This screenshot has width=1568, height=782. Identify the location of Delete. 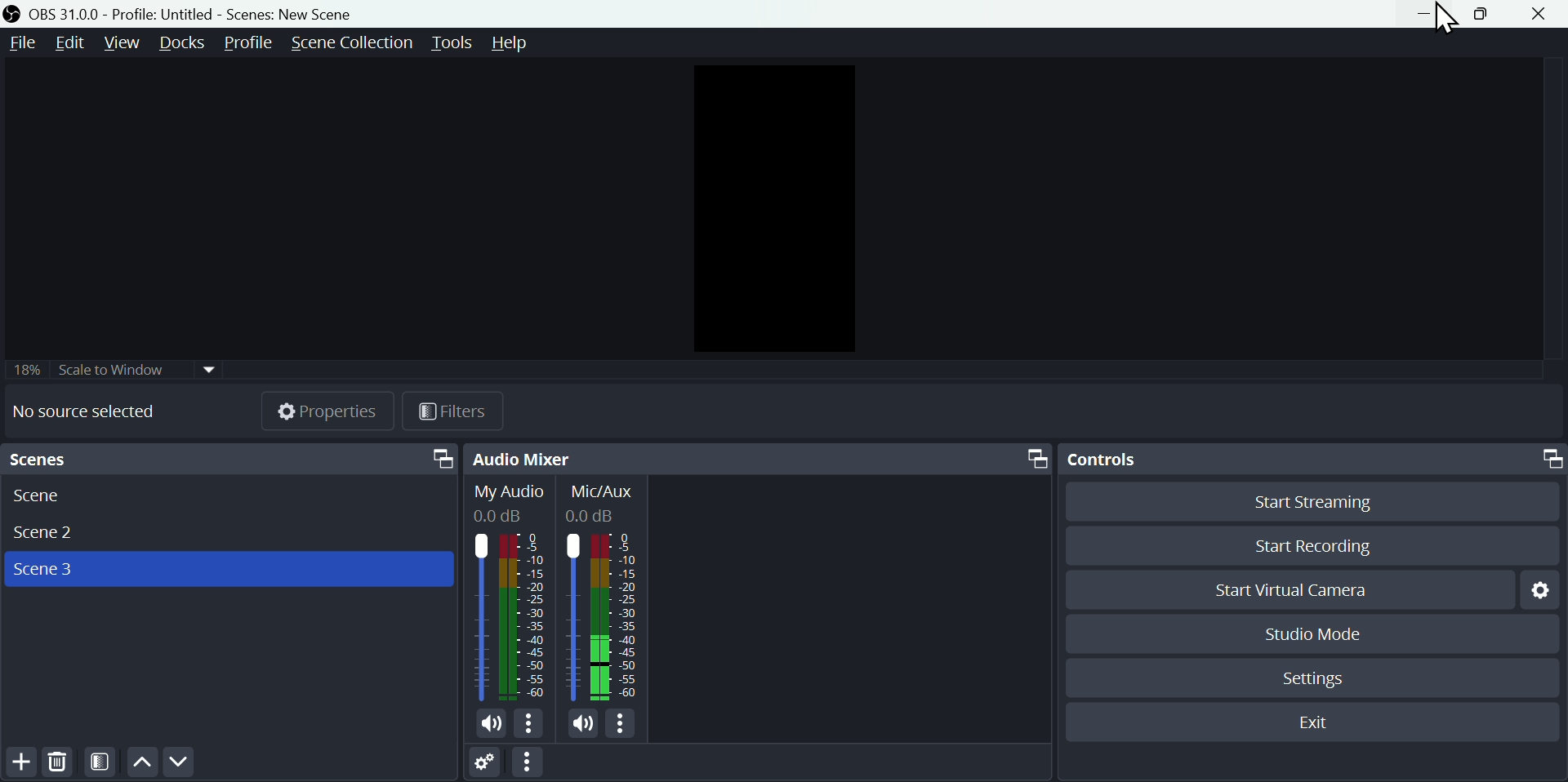
(60, 765).